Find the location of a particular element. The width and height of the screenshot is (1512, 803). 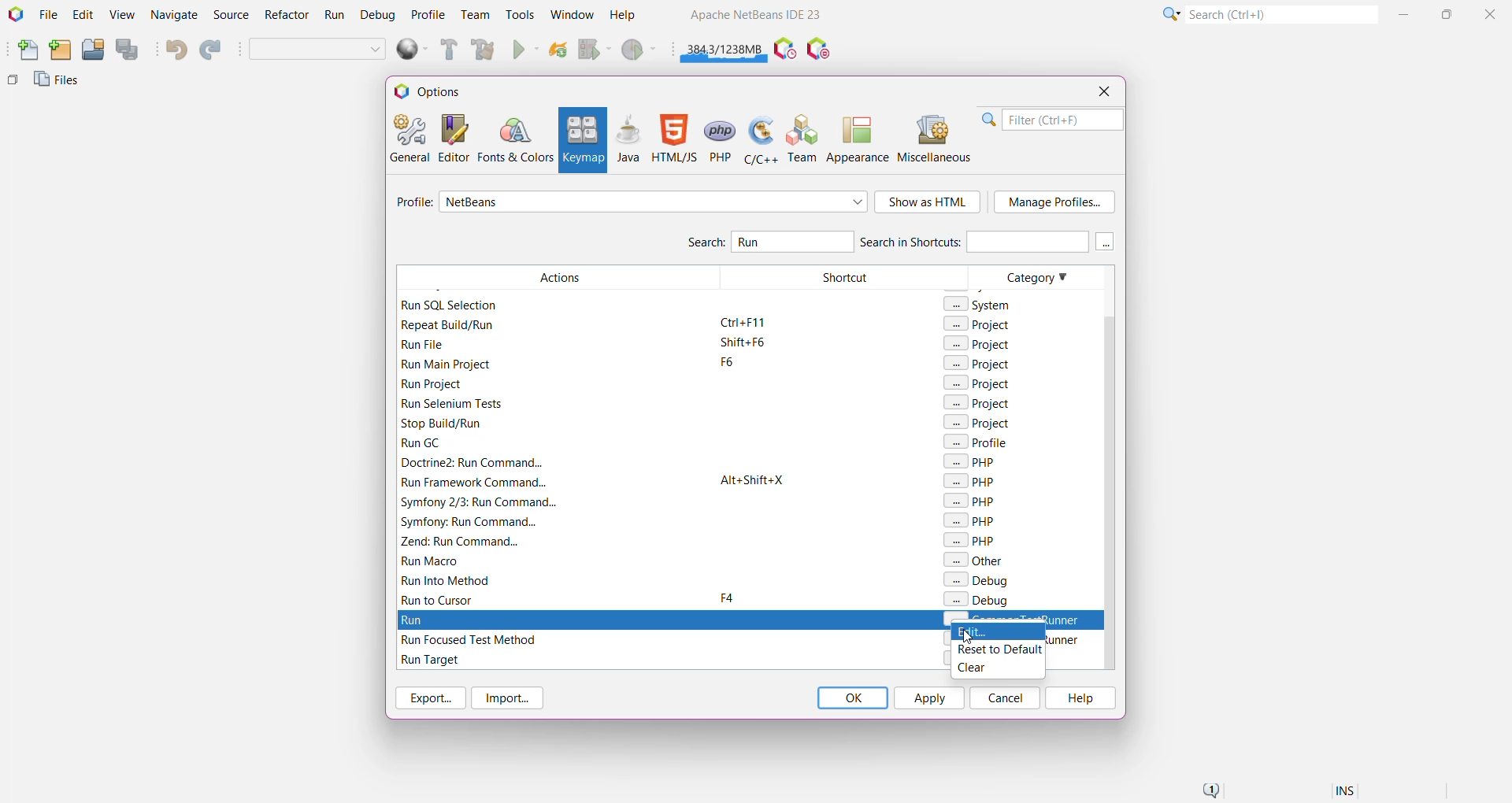

Reset to Default is located at coordinates (999, 651).